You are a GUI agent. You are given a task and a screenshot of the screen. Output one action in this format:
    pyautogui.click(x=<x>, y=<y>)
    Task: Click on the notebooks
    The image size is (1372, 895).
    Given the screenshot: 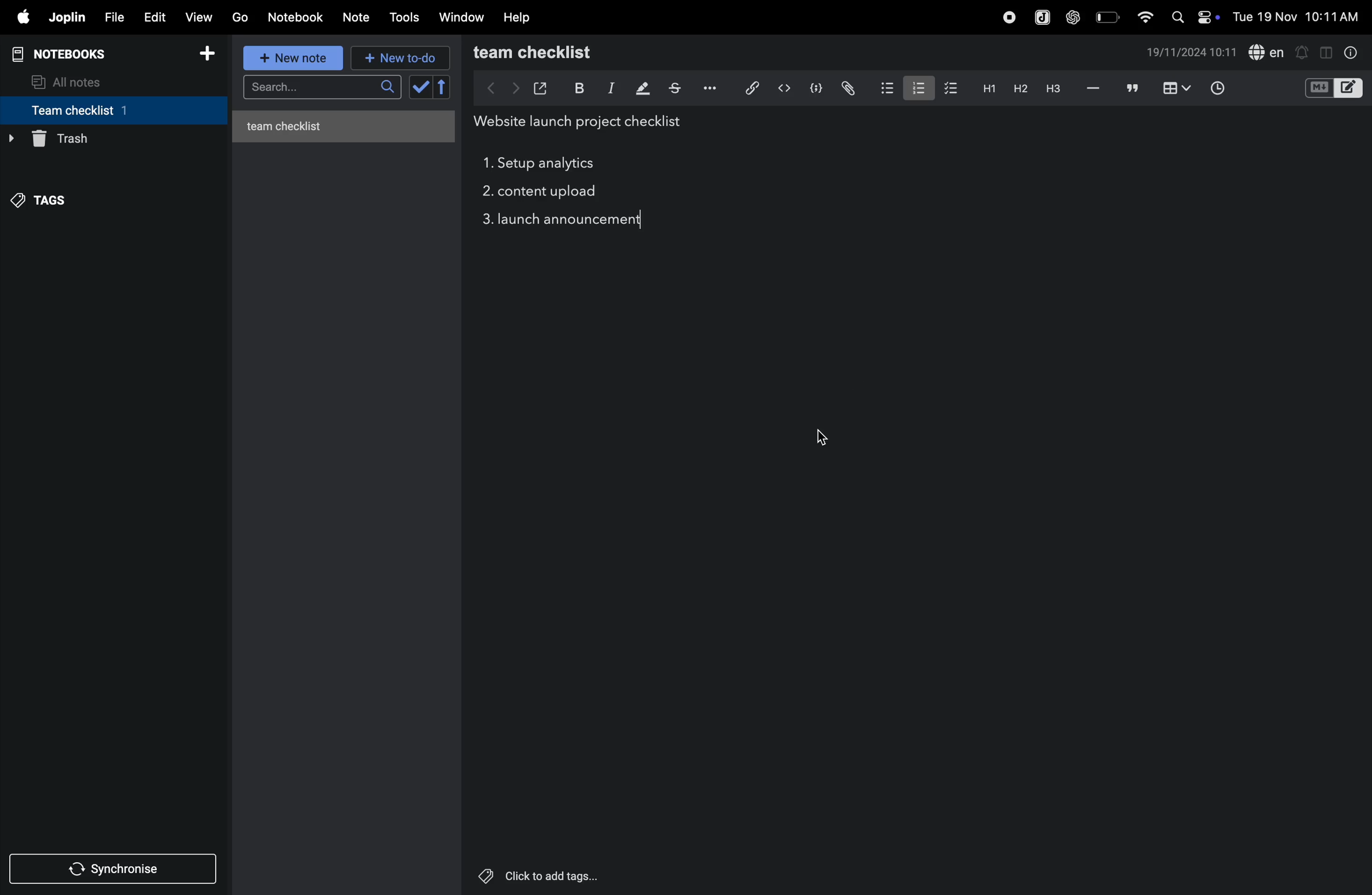 What is the action you would take?
    pyautogui.click(x=66, y=52)
    